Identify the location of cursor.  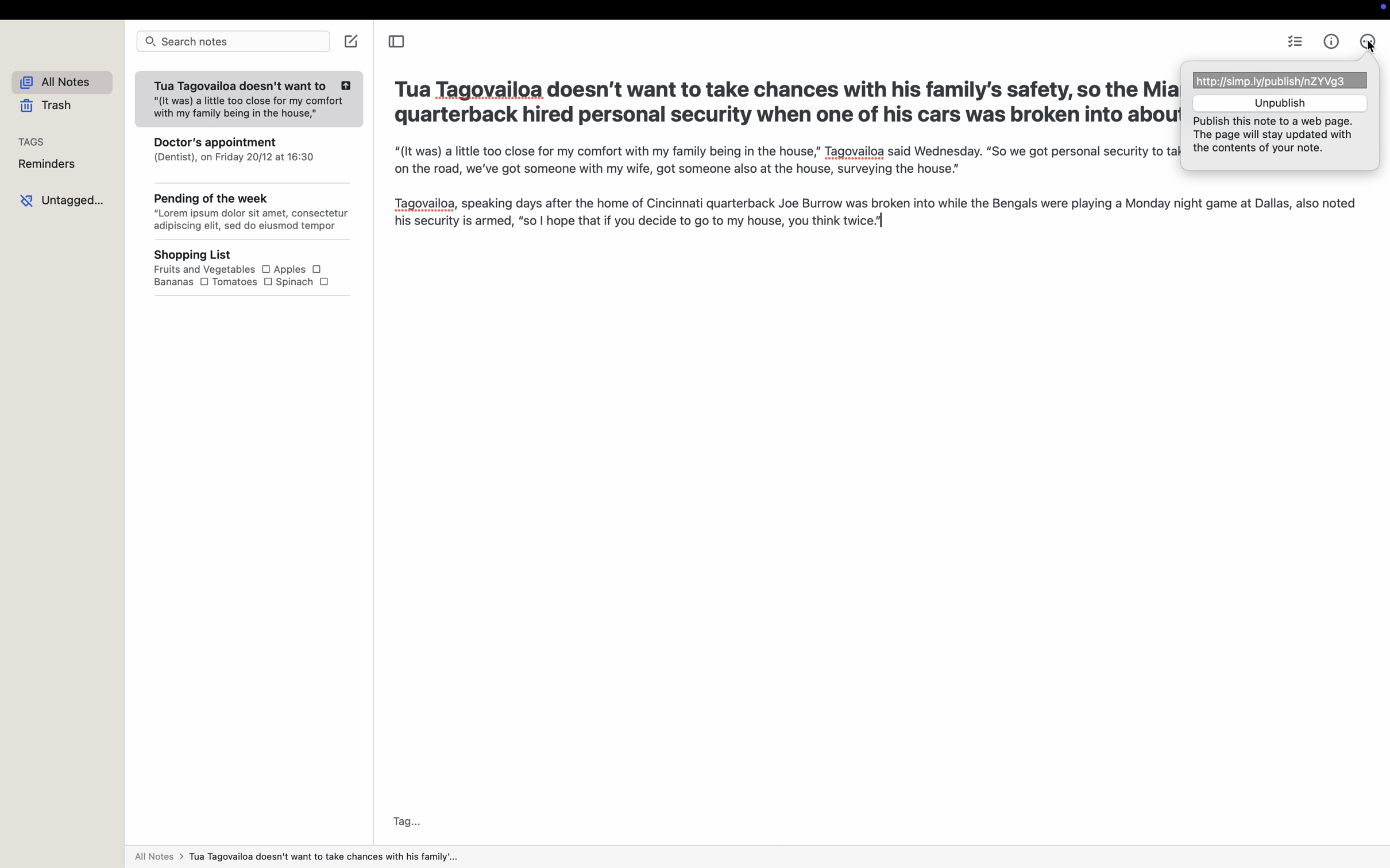
(1369, 47).